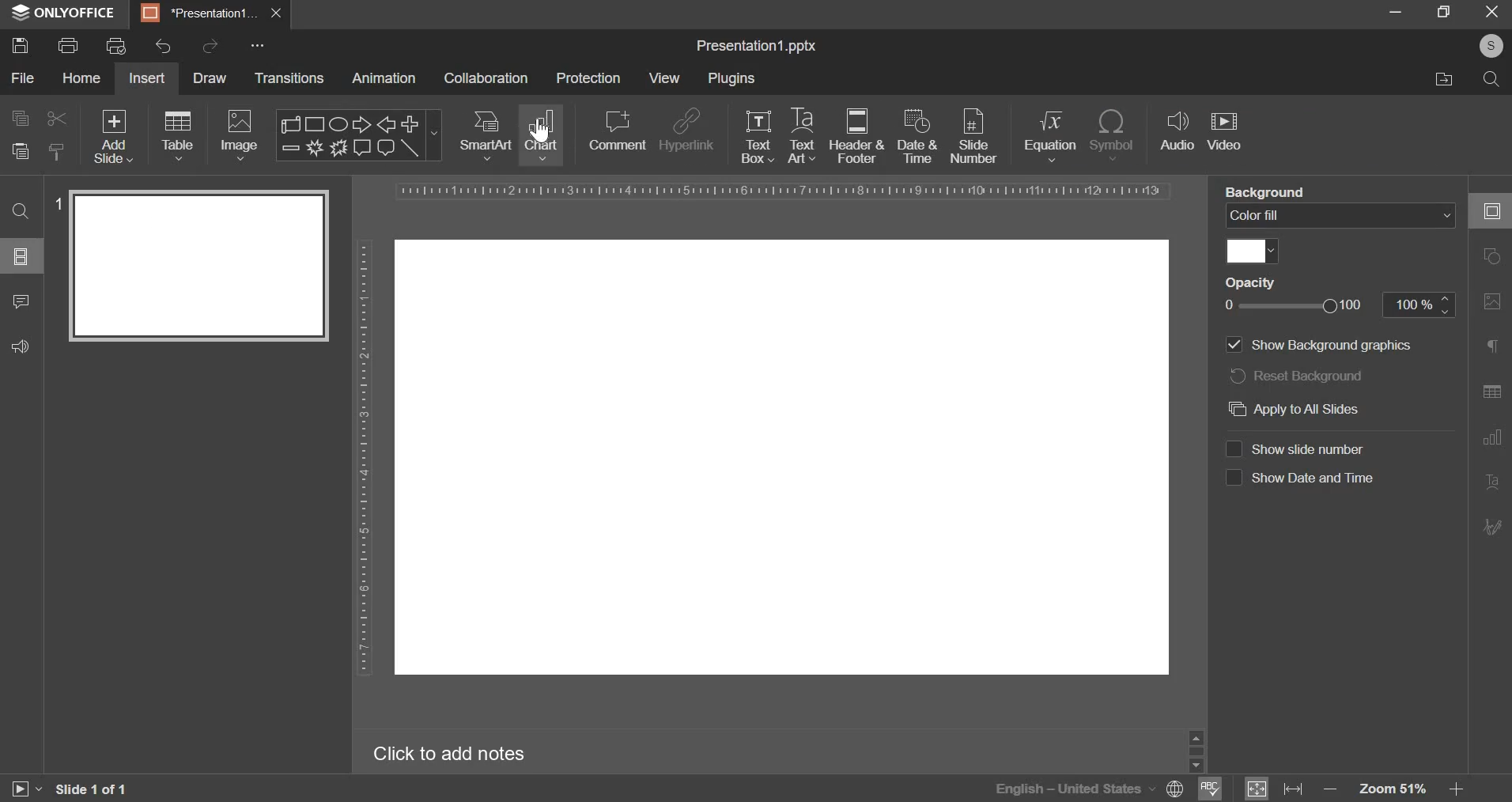  I want to click on text art settings, so click(1490, 483).